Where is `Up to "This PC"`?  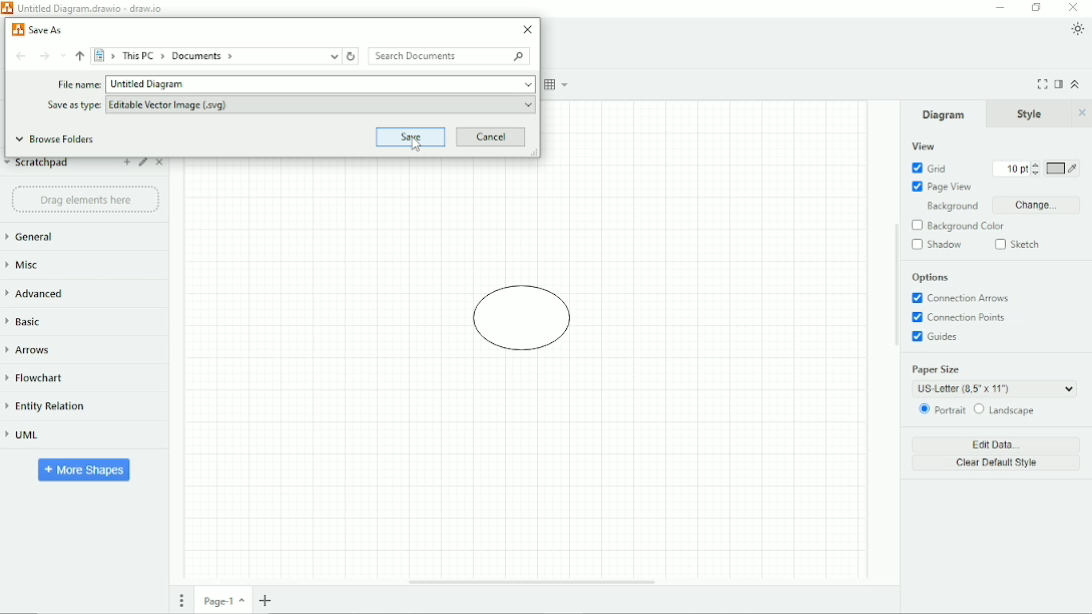
Up to "This PC" is located at coordinates (81, 58).